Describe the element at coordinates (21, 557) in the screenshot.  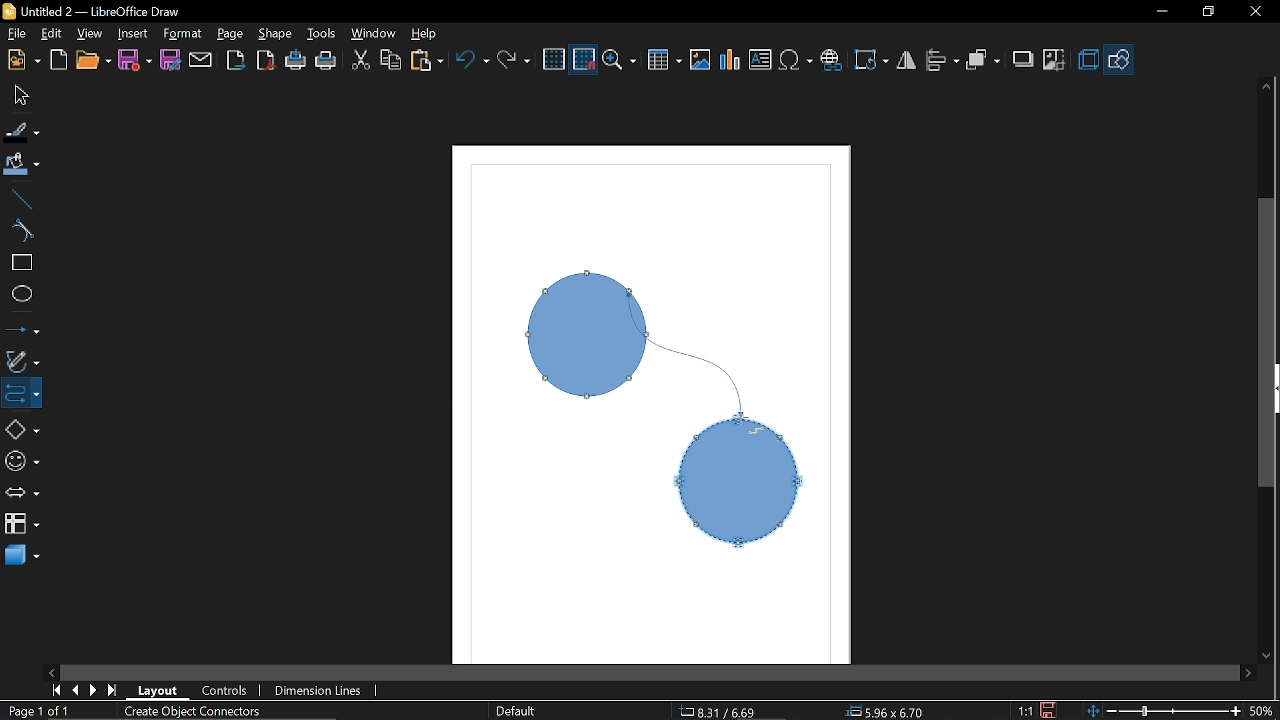
I see `3d shapes` at that location.